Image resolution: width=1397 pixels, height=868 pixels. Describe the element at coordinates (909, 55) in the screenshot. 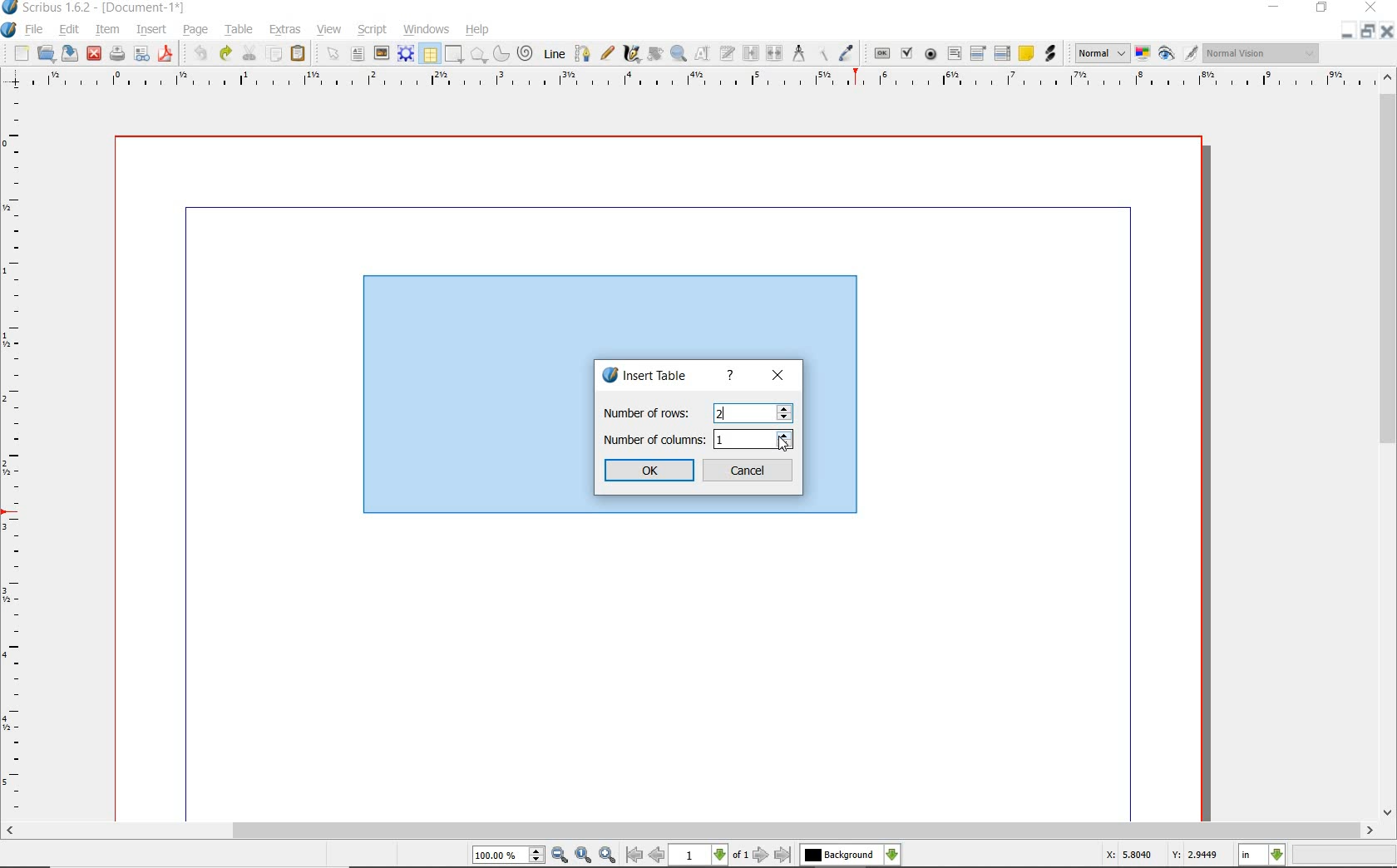

I see `pdf check box` at that location.